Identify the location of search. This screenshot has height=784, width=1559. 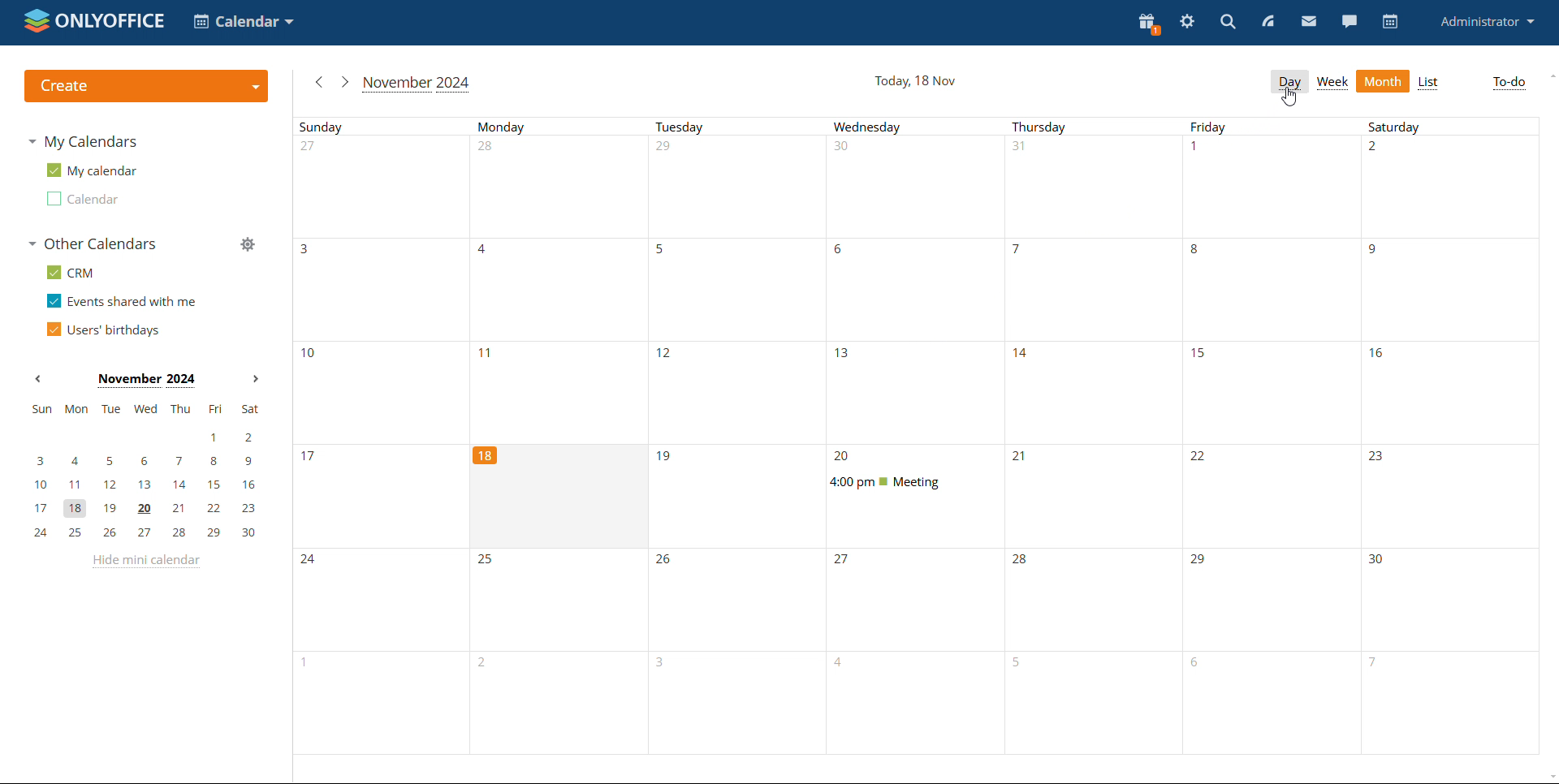
(1227, 22).